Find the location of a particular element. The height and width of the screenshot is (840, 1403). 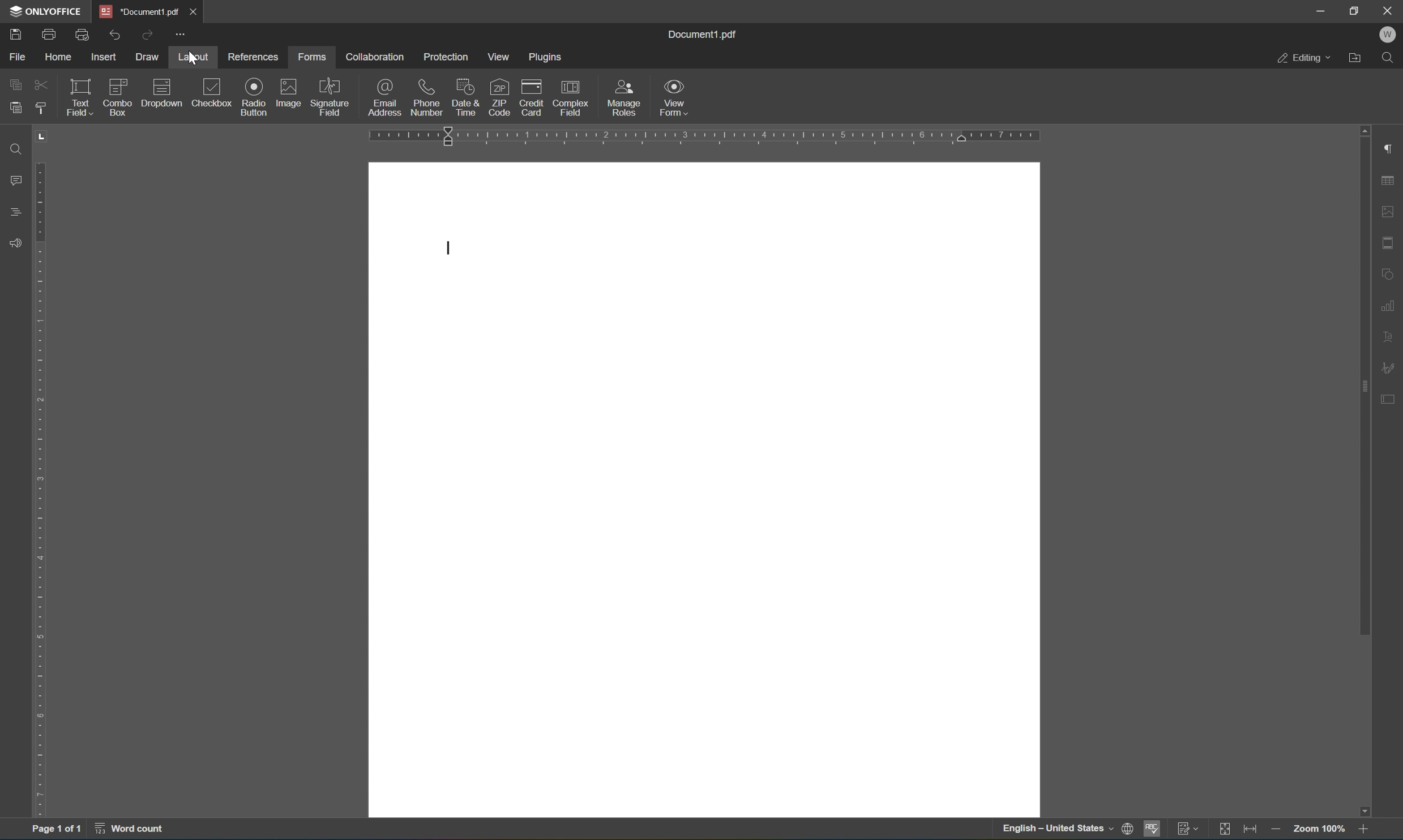

description is located at coordinates (161, 92).